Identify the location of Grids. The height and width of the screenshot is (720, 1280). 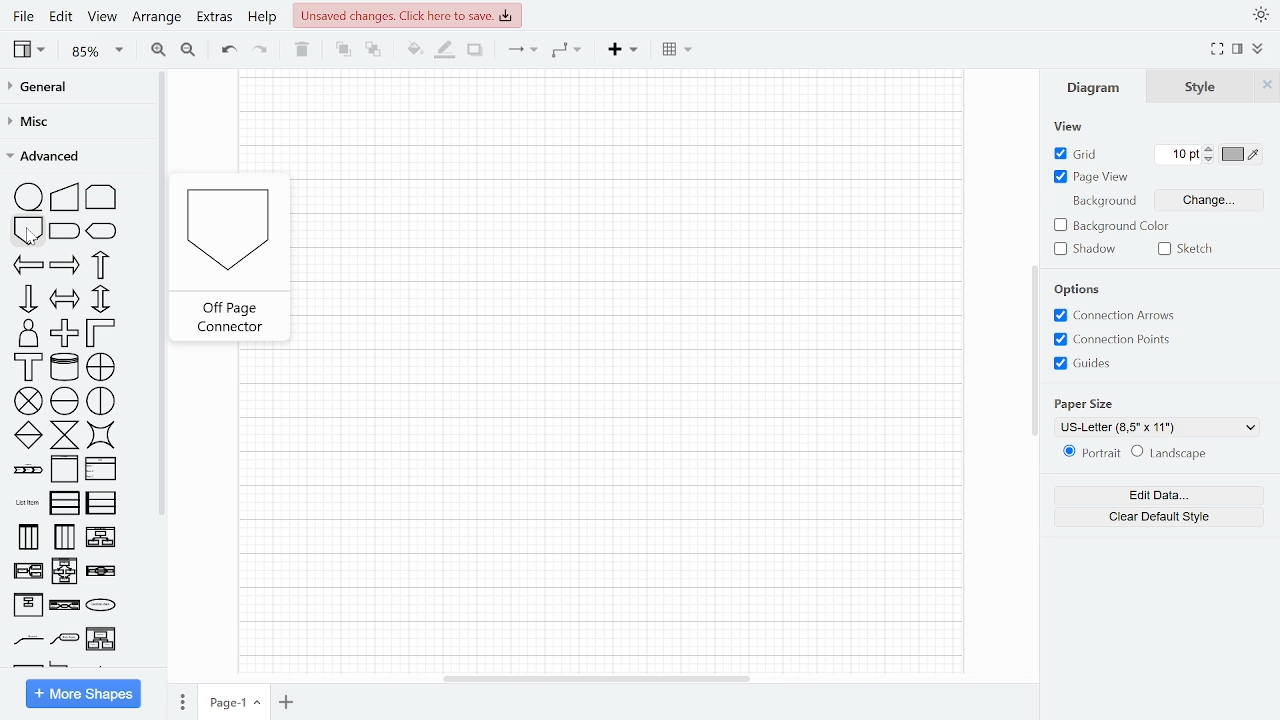
(1090, 366).